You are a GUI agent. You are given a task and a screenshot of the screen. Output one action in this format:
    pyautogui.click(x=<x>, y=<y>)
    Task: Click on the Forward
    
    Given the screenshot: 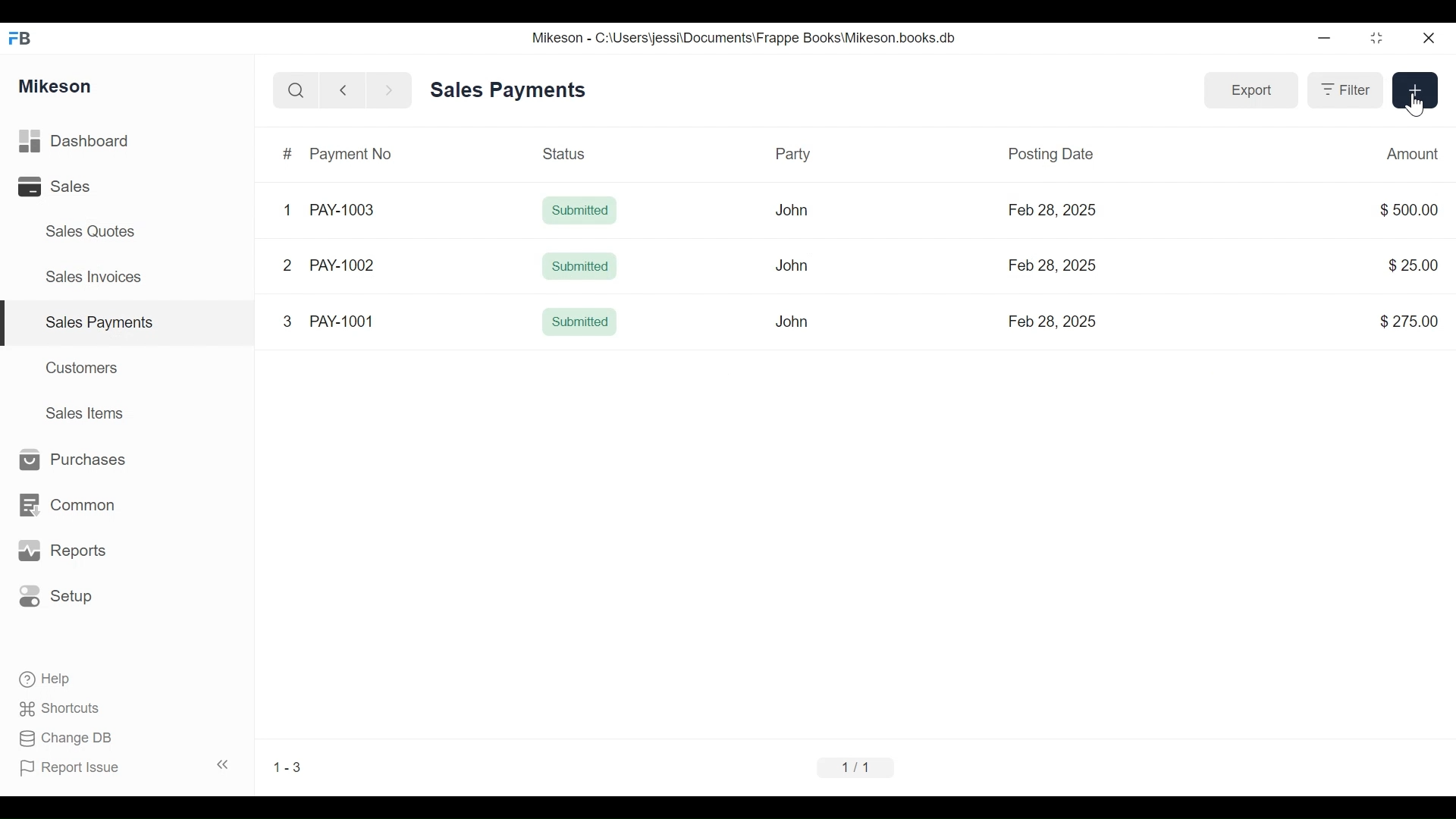 What is the action you would take?
    pyautogui.click(x=394, y=89)
    